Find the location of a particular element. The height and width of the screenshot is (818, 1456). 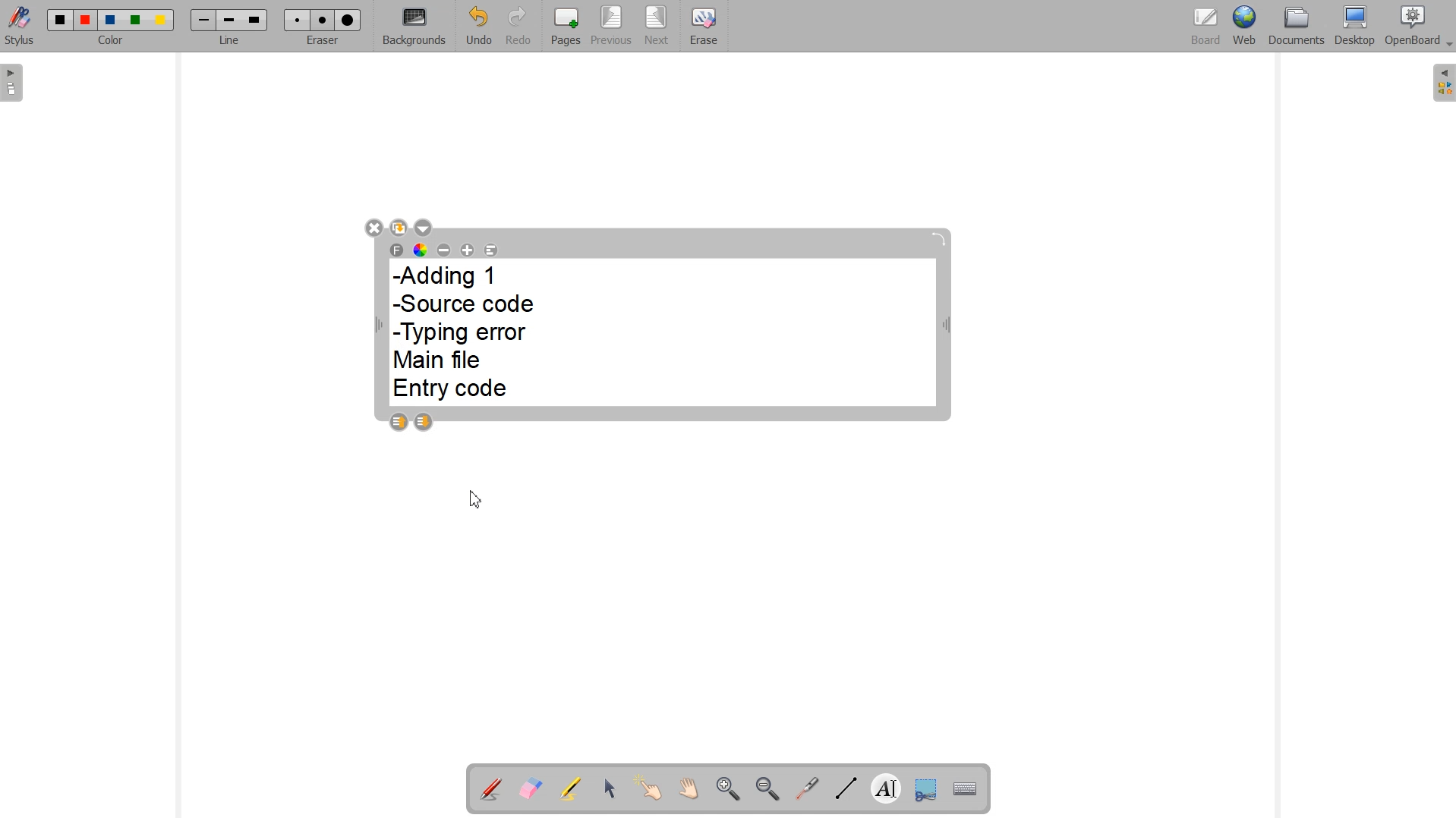

Small line is located at coordinates (204, 20).